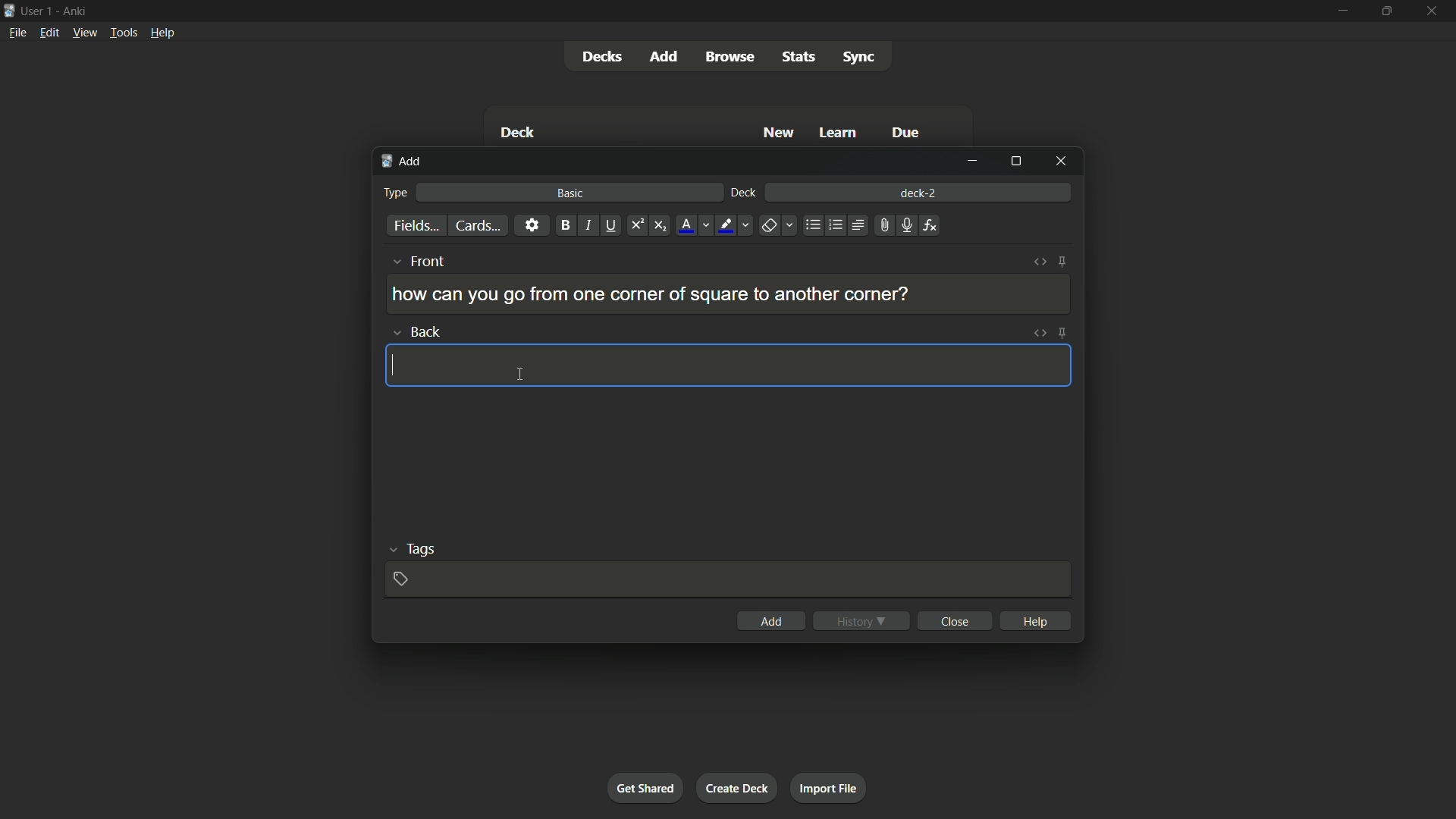 The height and width of the screenshot is (819, 1456). Describe the element at coordinates (8, 11) in the screenshot. I see `app icon` at that location.